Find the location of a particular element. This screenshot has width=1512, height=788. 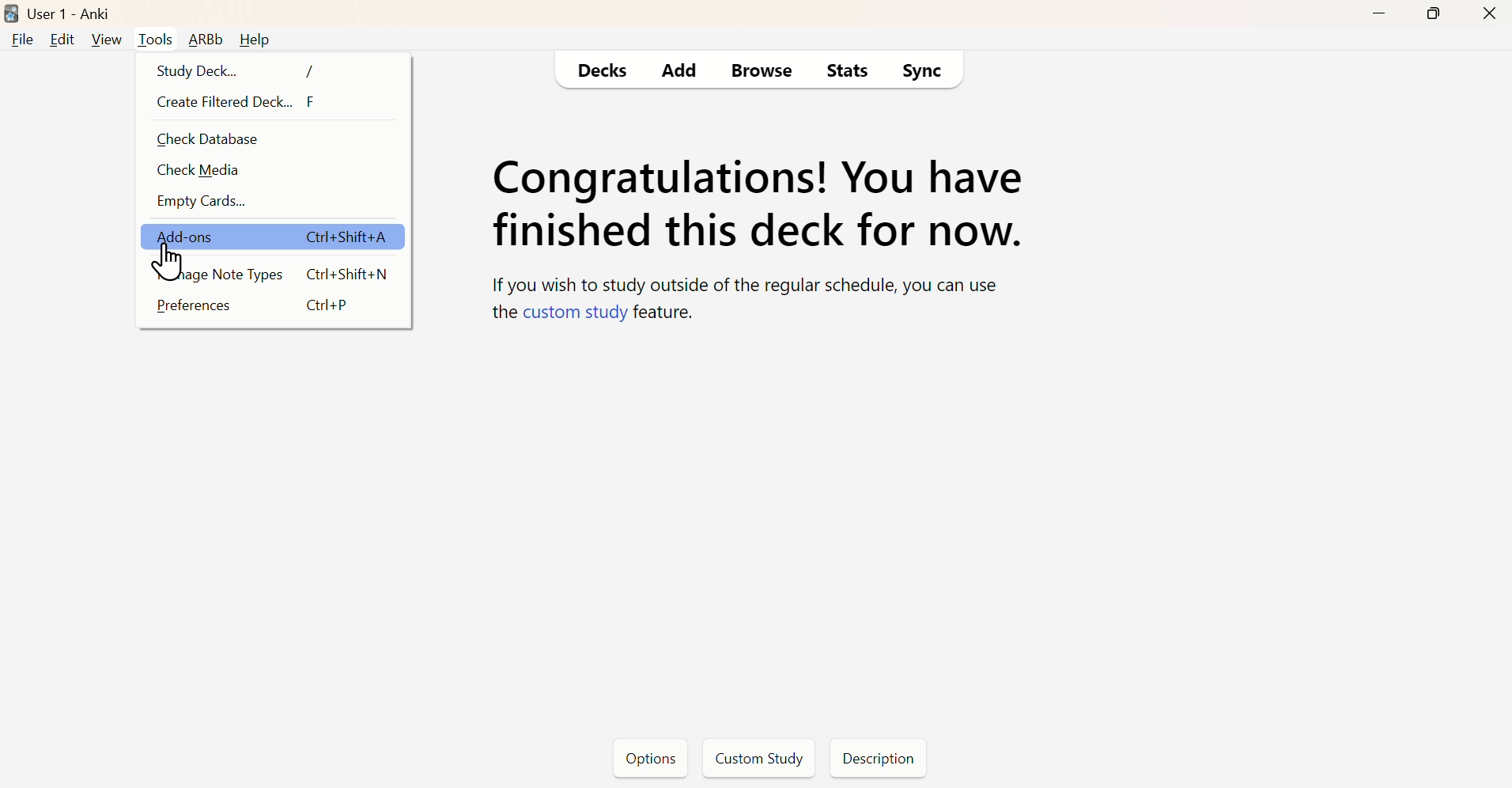

Sync is located at coordinates (921, 74).